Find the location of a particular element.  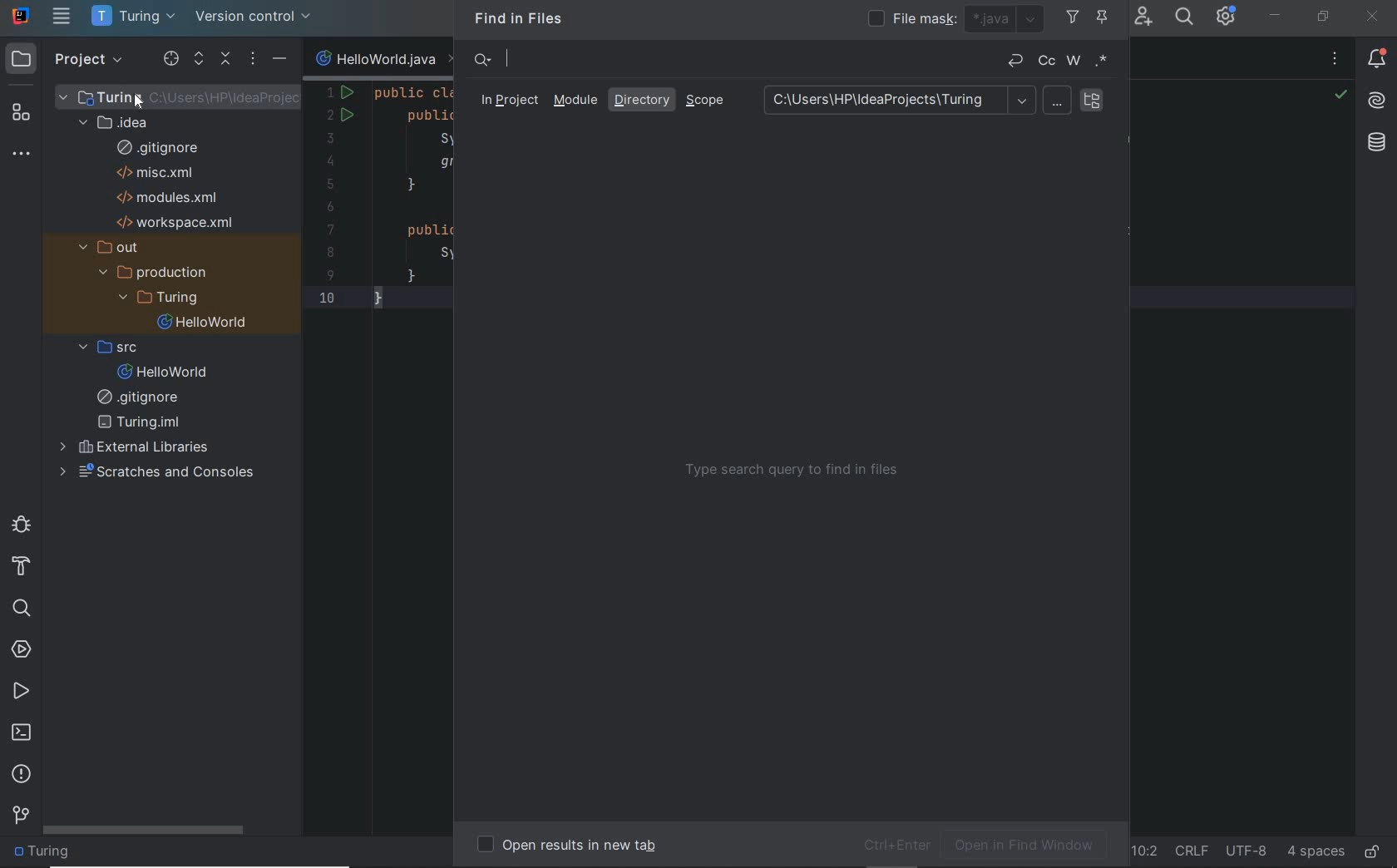

filter is located at coordinates (1070, 19).